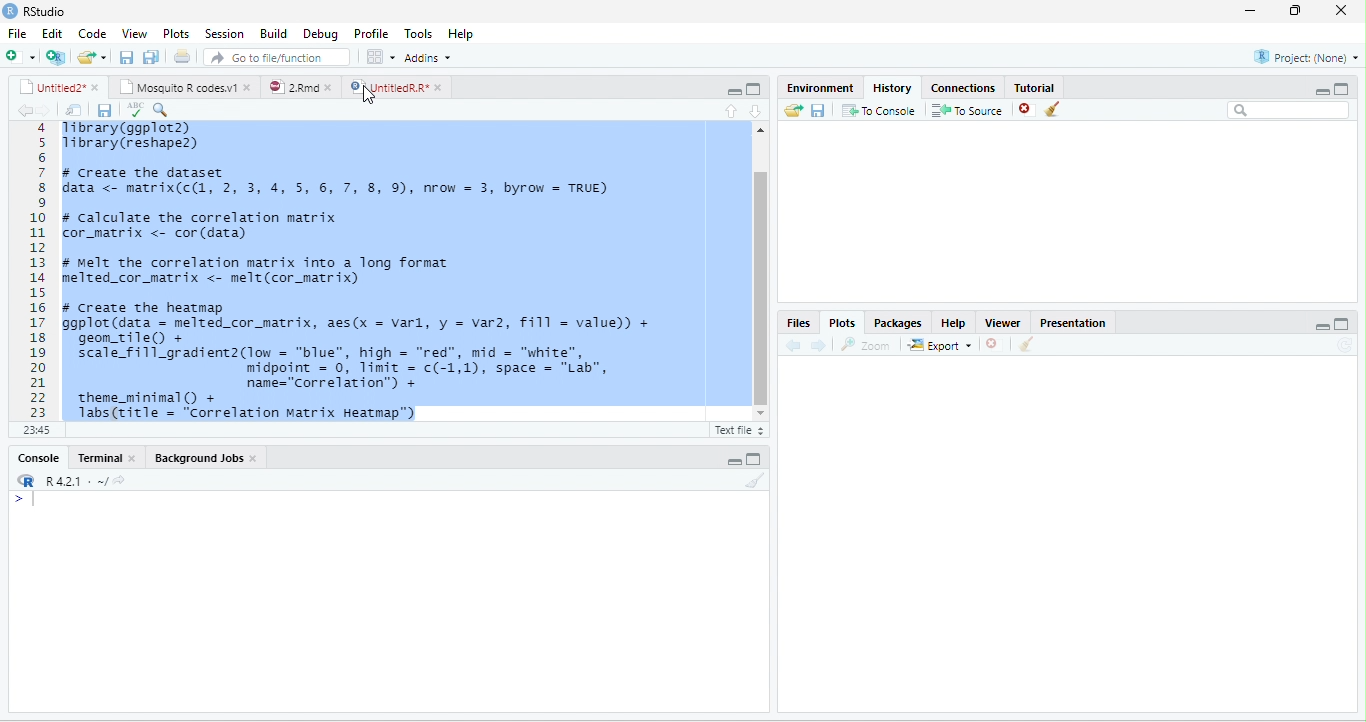 The image size is (1366, 722). What do you see at coordinates (755, 459) in the screenshot?
I see `maximize` at bounding box center [755, 459].